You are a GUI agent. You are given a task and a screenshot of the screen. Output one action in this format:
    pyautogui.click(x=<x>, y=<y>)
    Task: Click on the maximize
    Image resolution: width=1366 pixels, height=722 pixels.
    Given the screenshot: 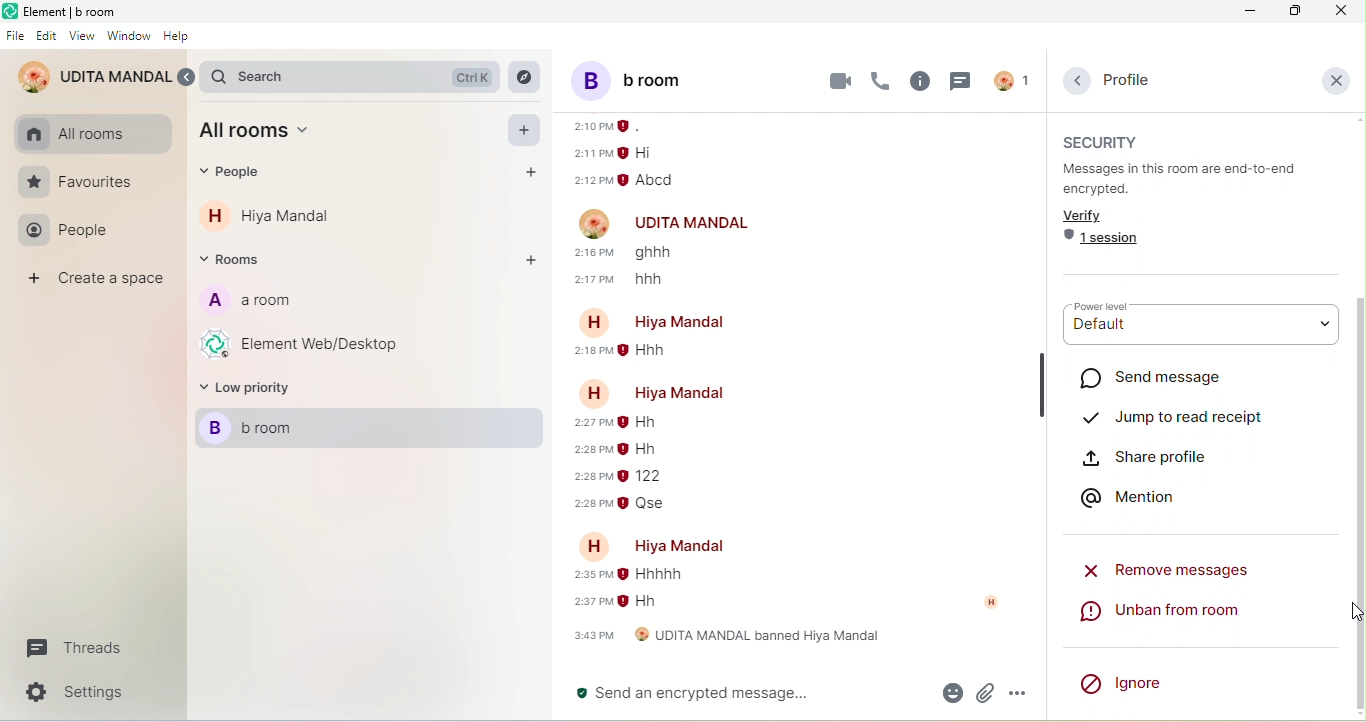 What is the action you would take?
    pyautogui.click(x=1294, y=11)
    